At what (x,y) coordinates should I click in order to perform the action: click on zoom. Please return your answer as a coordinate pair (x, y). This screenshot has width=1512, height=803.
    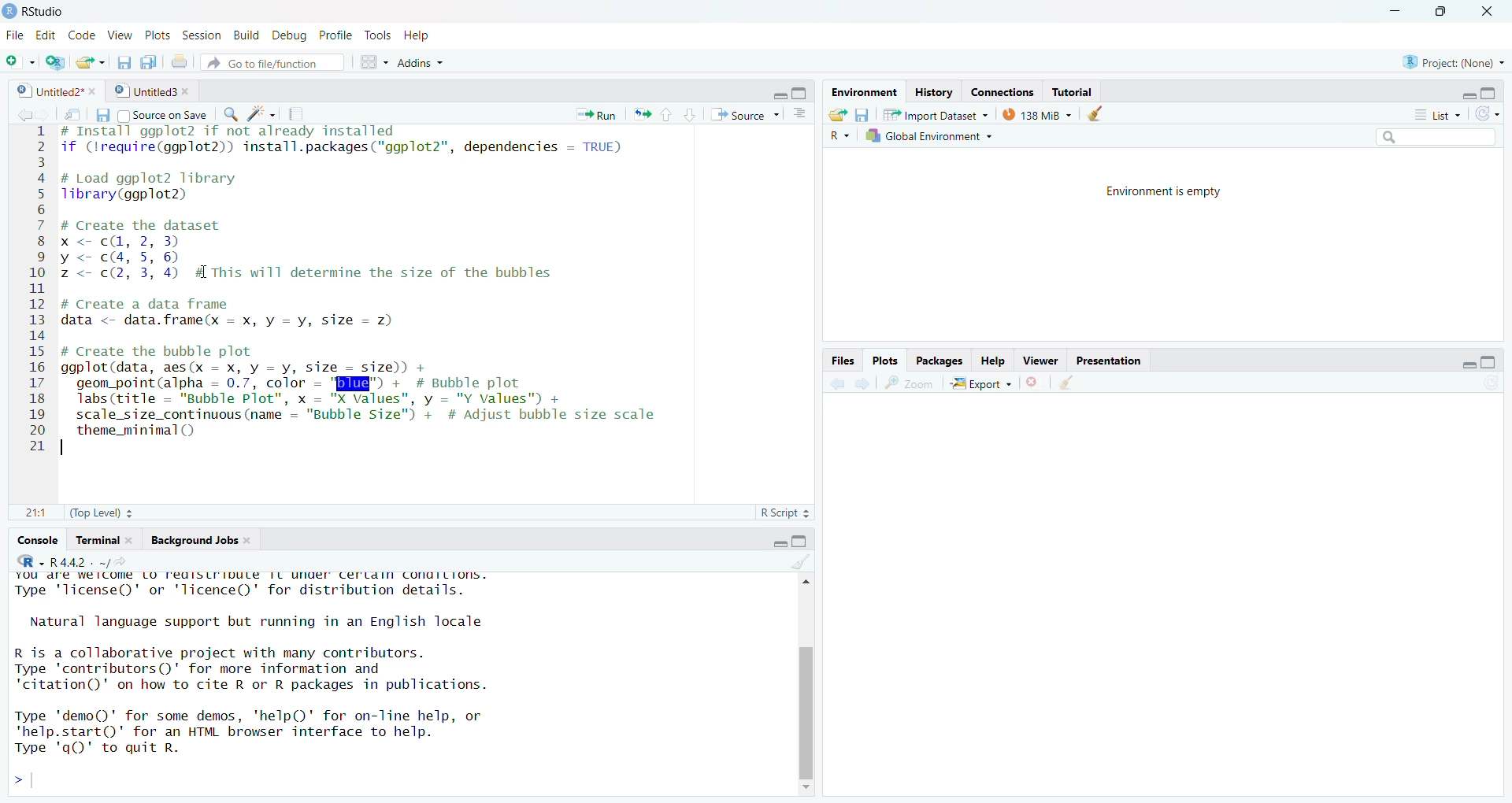
    Looking at the image, I should click on (911, 383).